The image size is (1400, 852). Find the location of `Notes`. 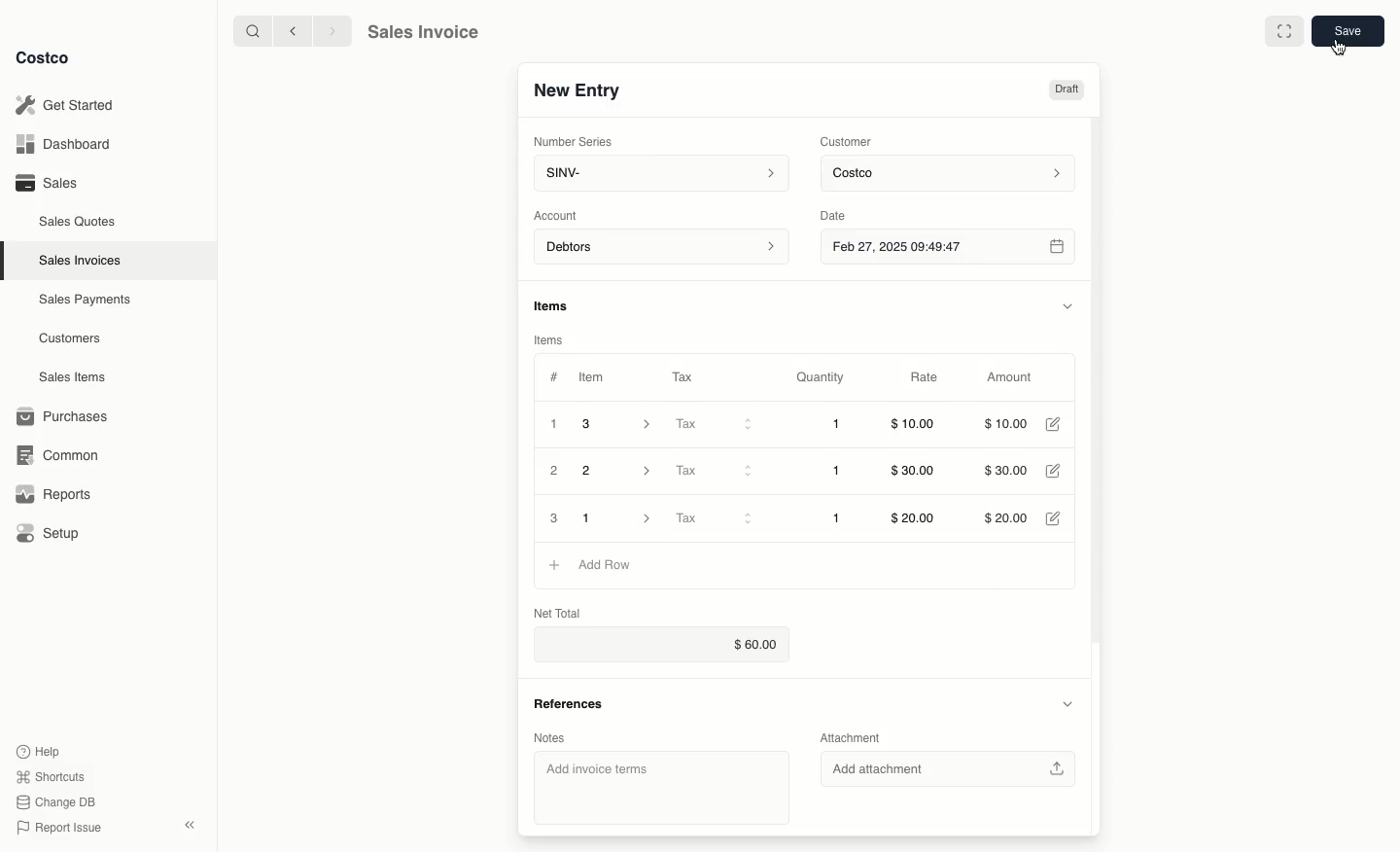

Notes is located at coordinates (557, 739).